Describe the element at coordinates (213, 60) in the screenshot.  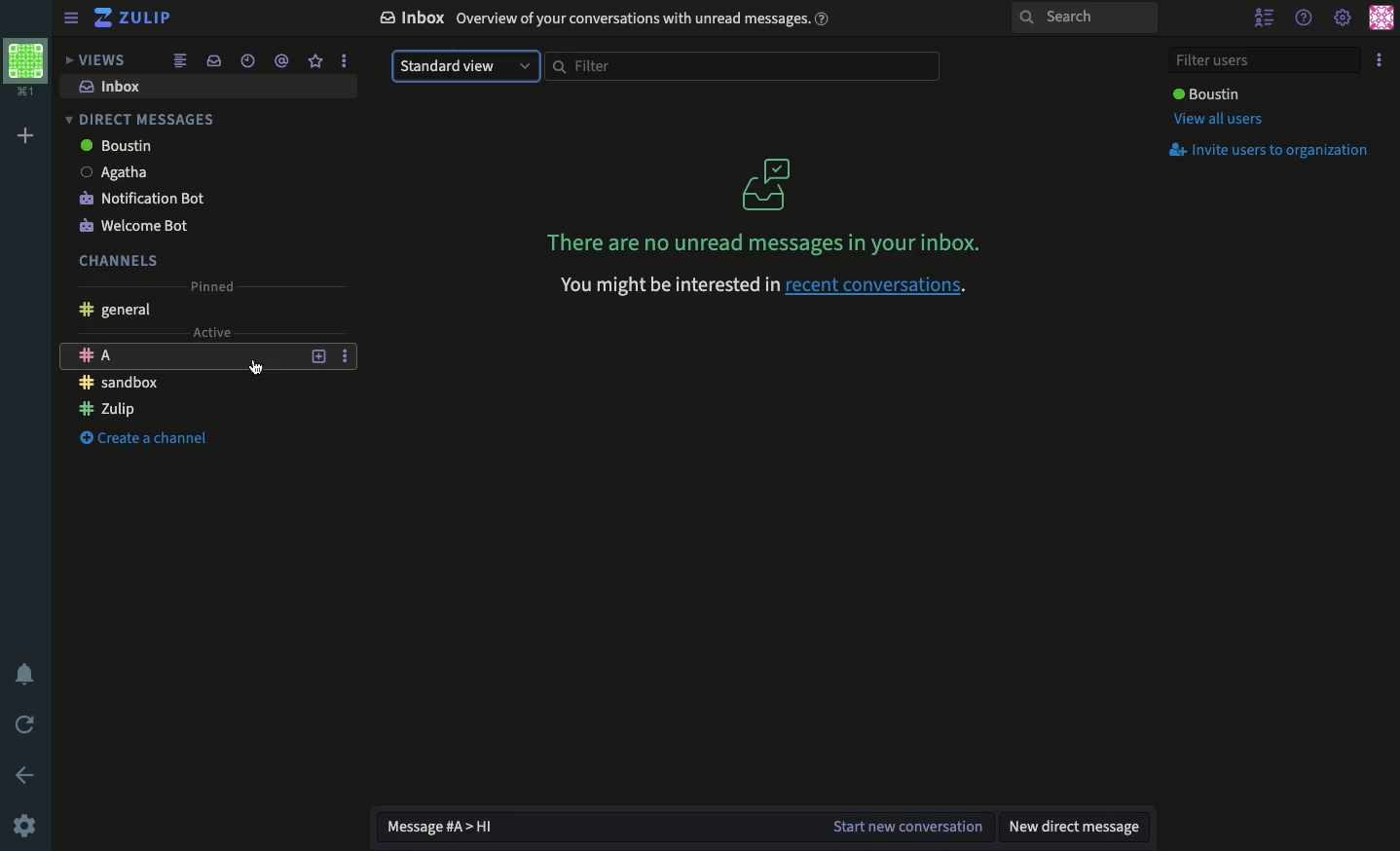
I see `Inbox` at that location.